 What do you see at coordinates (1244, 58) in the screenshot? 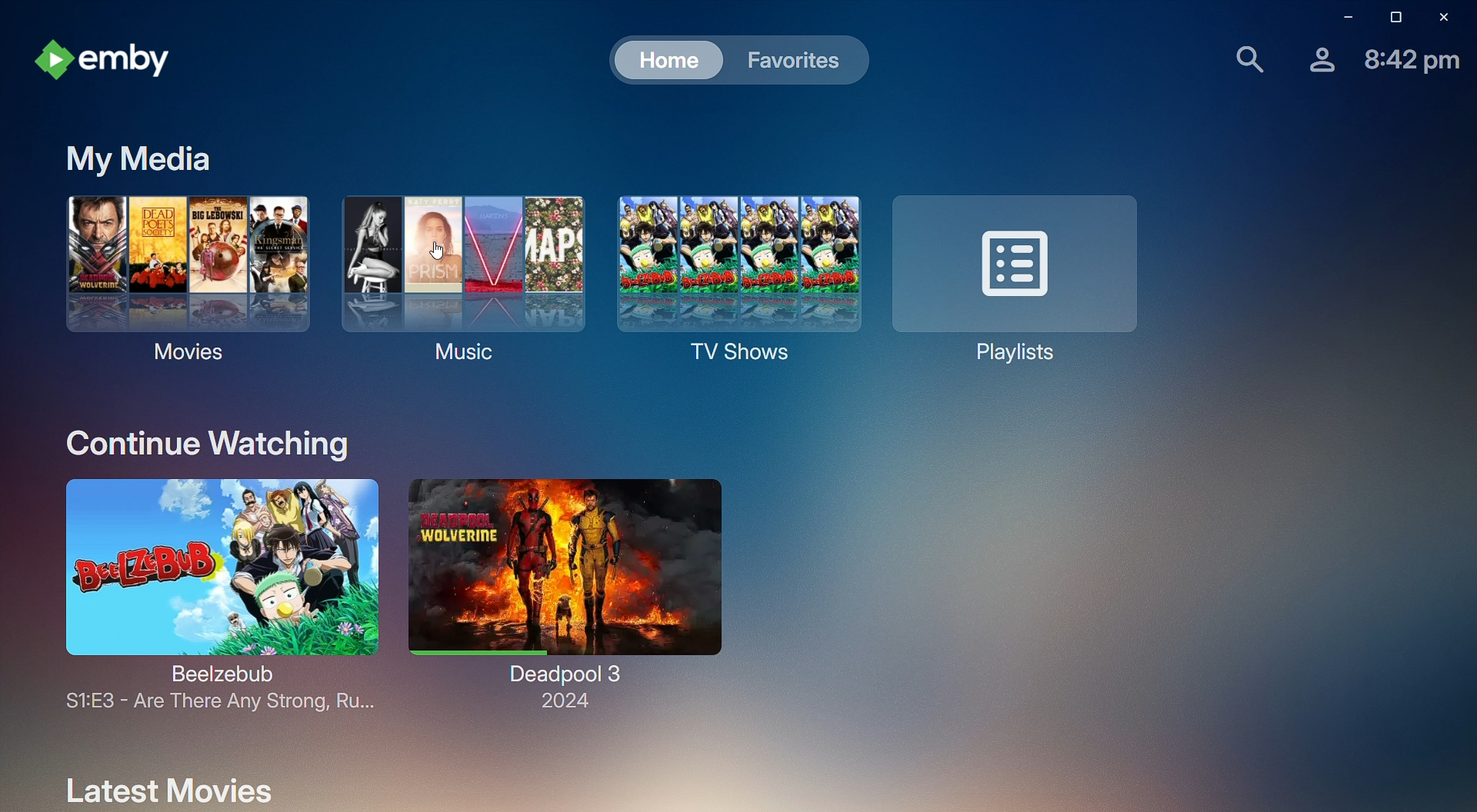
I see `Find` at bounding box center [1244, 58].